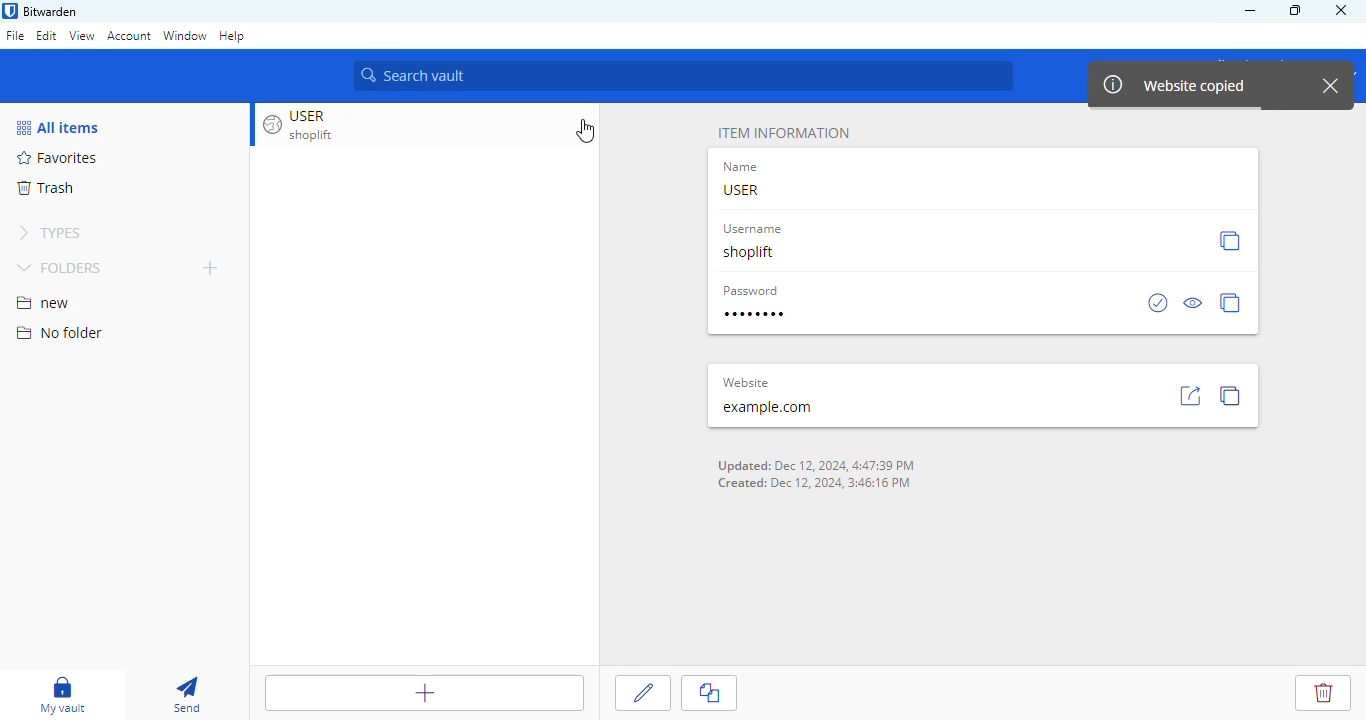 The width and height of the screenshot is (1366, 720). I want to click on favorites, so click(57, 158).